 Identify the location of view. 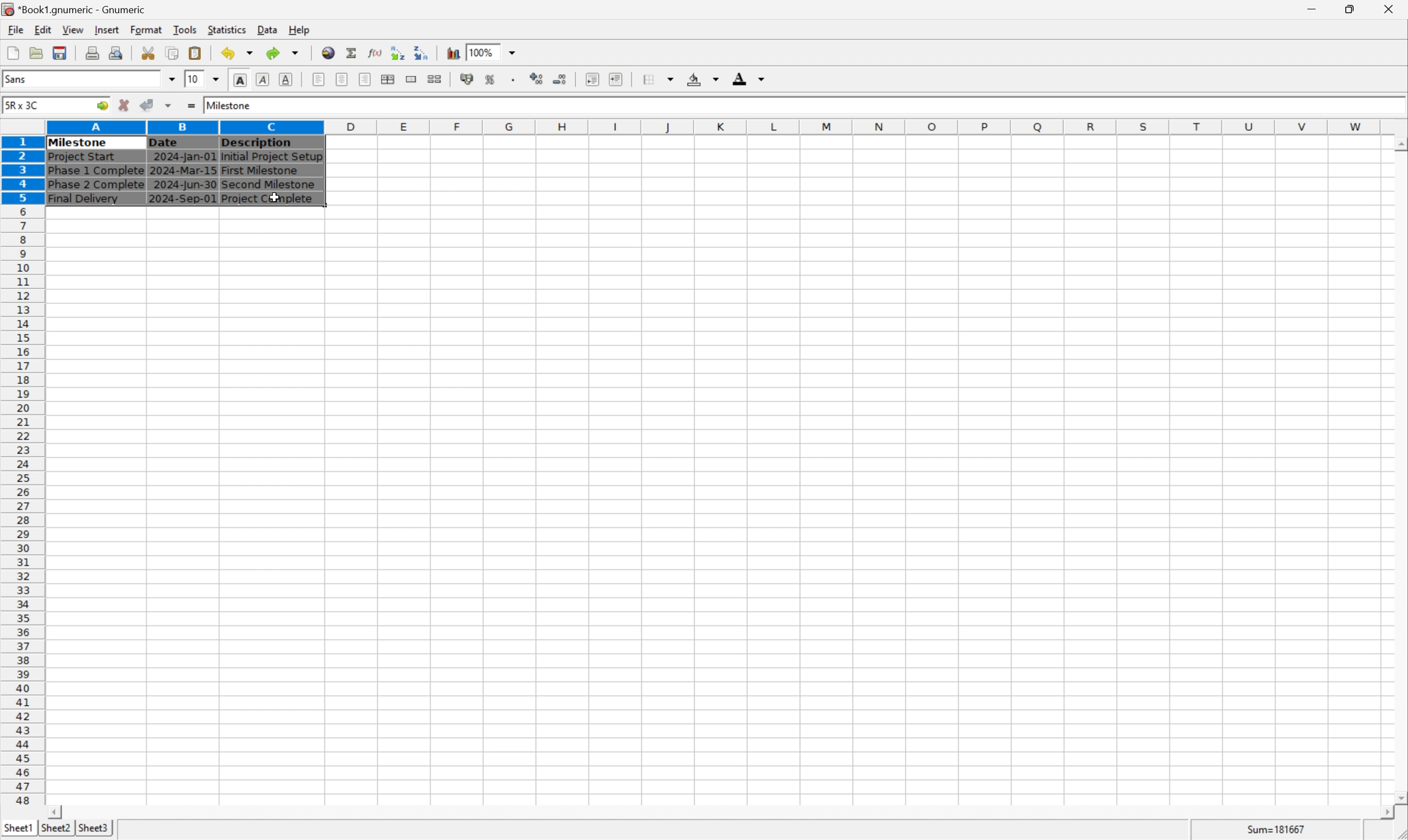
(72, 30).